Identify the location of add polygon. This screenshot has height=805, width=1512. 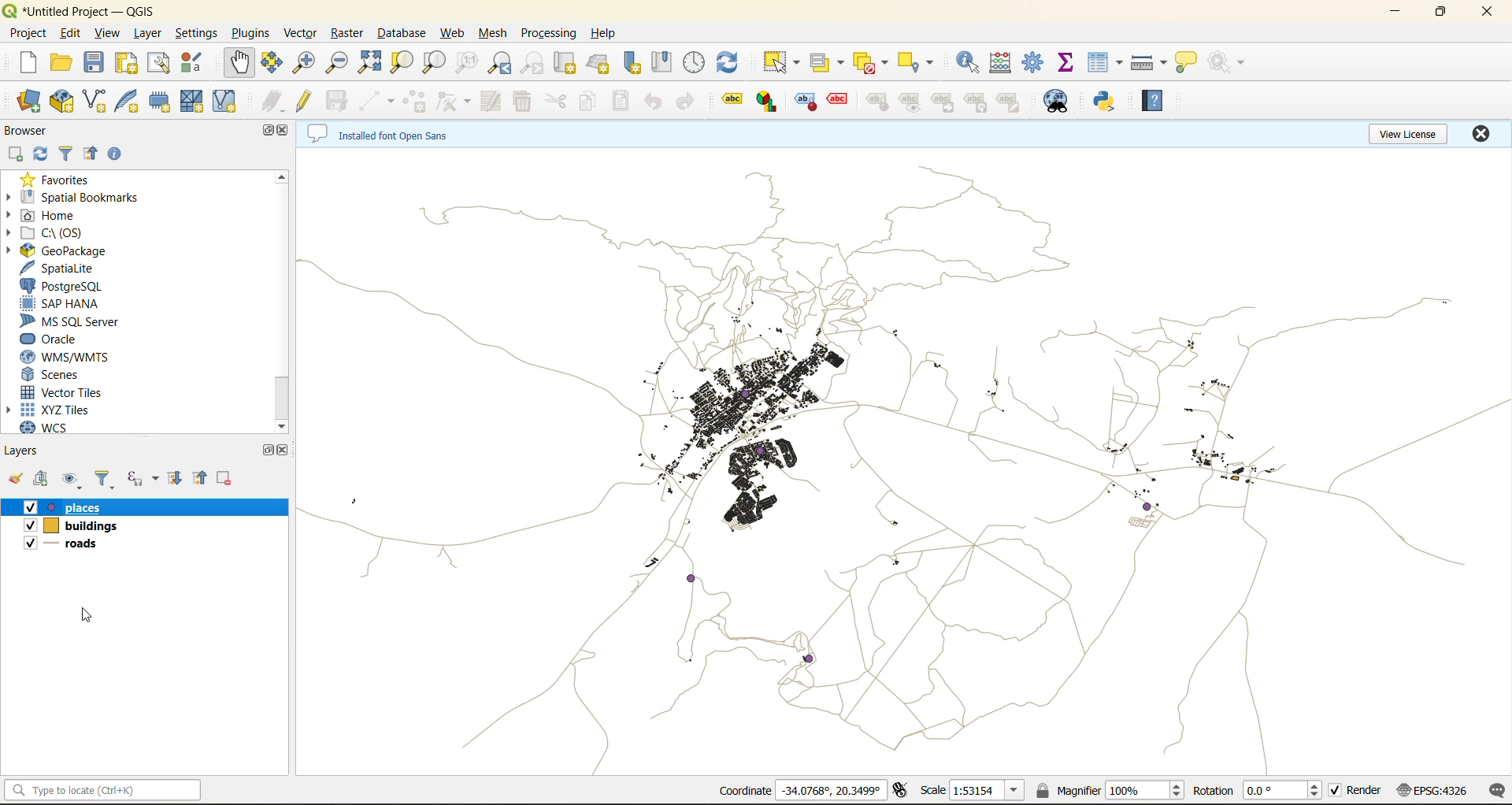
(415, 102).